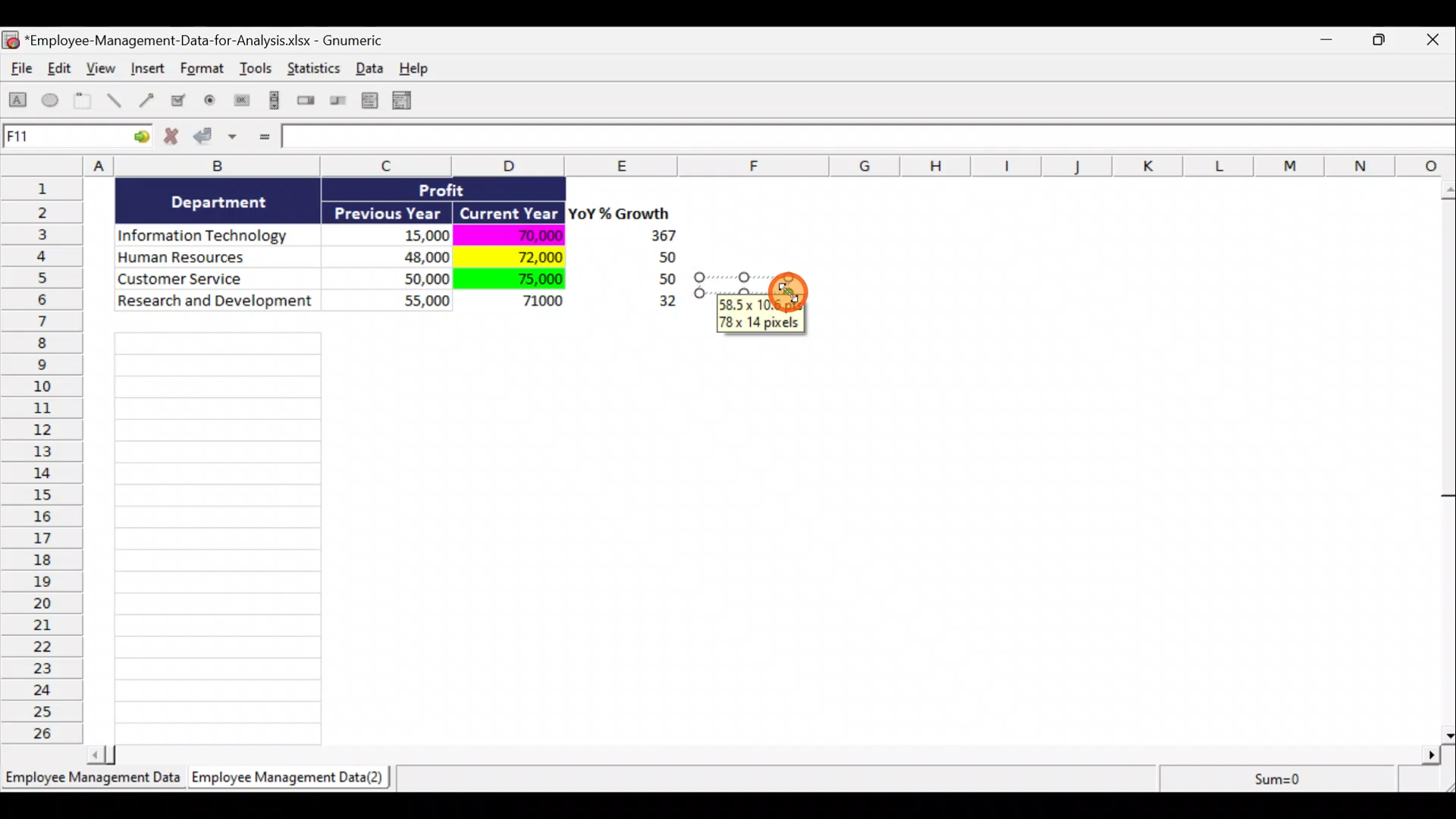  Describe the element at coordinates (218, 142) in the screenshot. I see `Accept changes` at that location.